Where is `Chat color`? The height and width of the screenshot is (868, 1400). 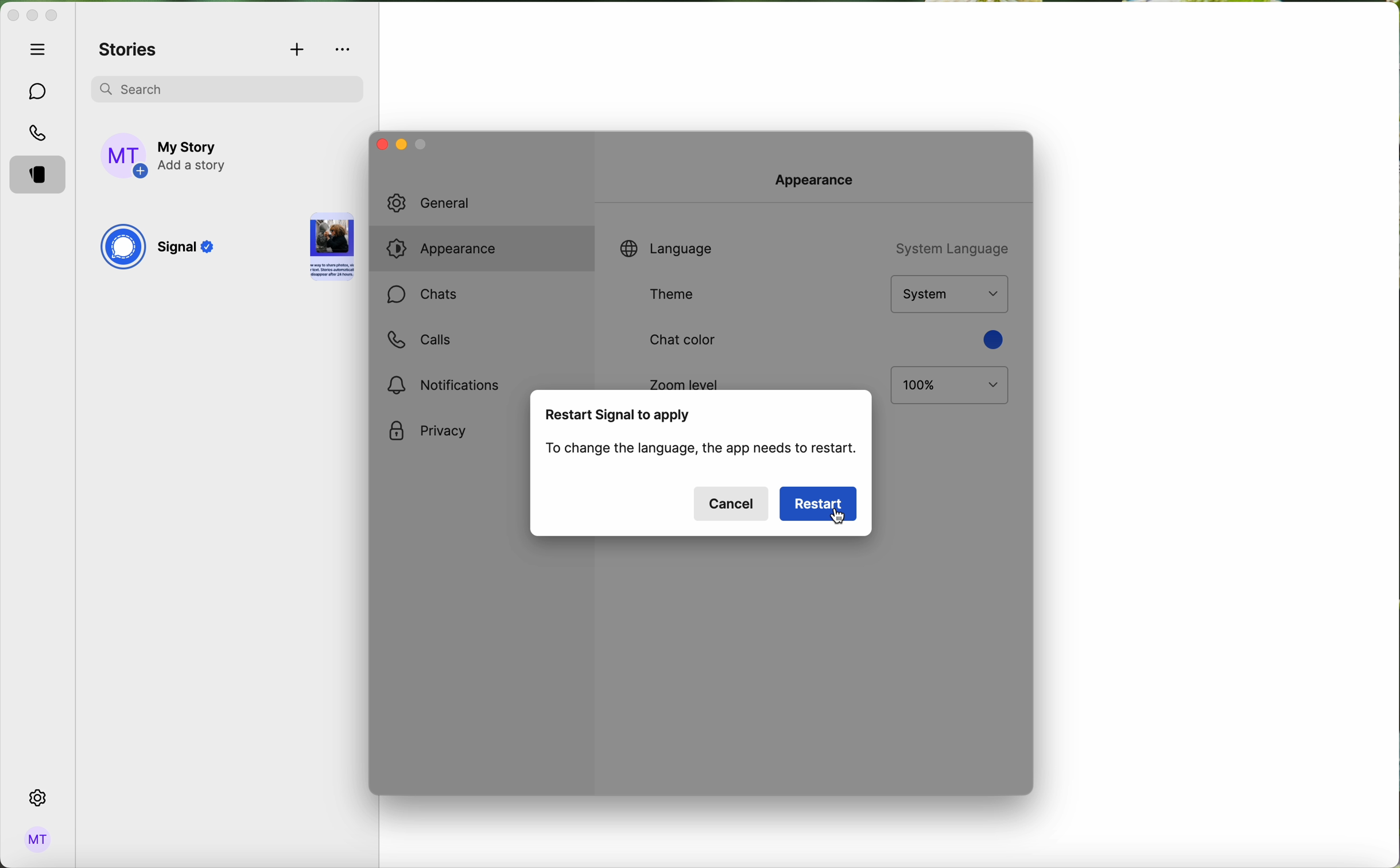
Chat color is located at coordinates (680, 341).